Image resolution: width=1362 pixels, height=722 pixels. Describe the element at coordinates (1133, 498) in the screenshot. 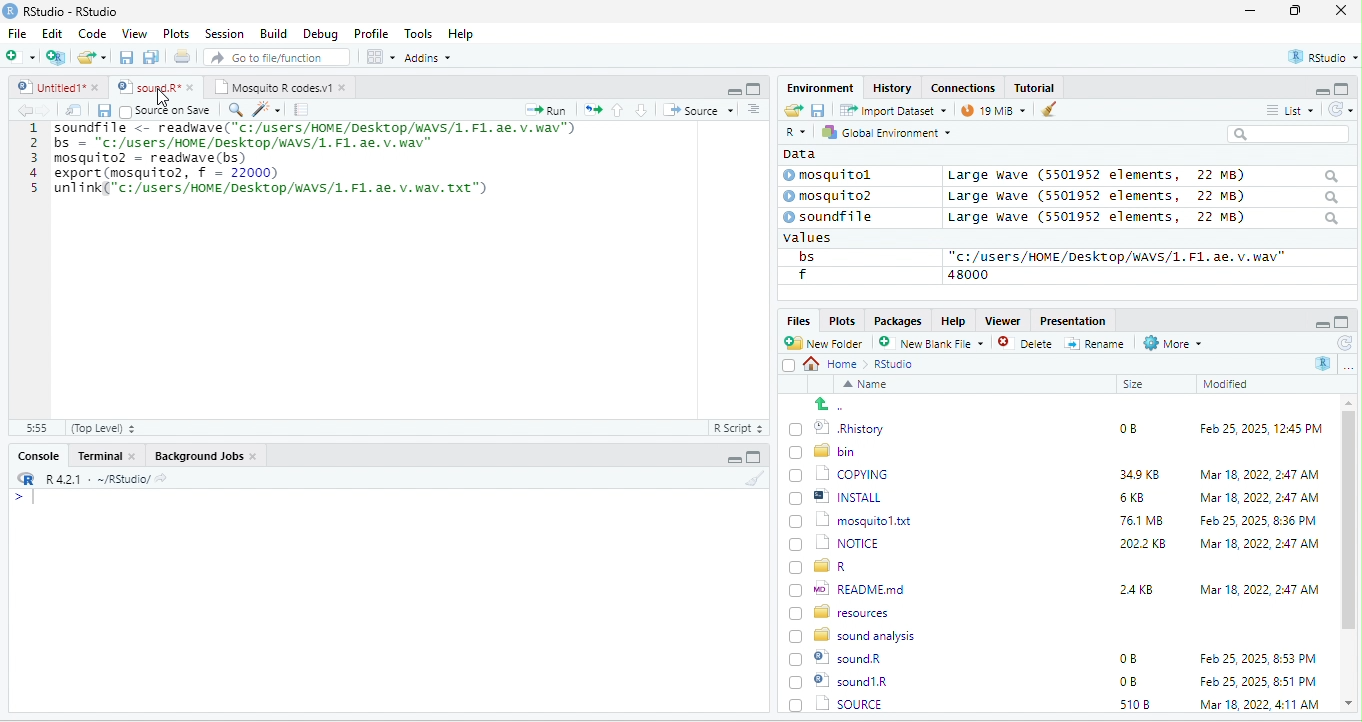

I see `6KB` at that location.